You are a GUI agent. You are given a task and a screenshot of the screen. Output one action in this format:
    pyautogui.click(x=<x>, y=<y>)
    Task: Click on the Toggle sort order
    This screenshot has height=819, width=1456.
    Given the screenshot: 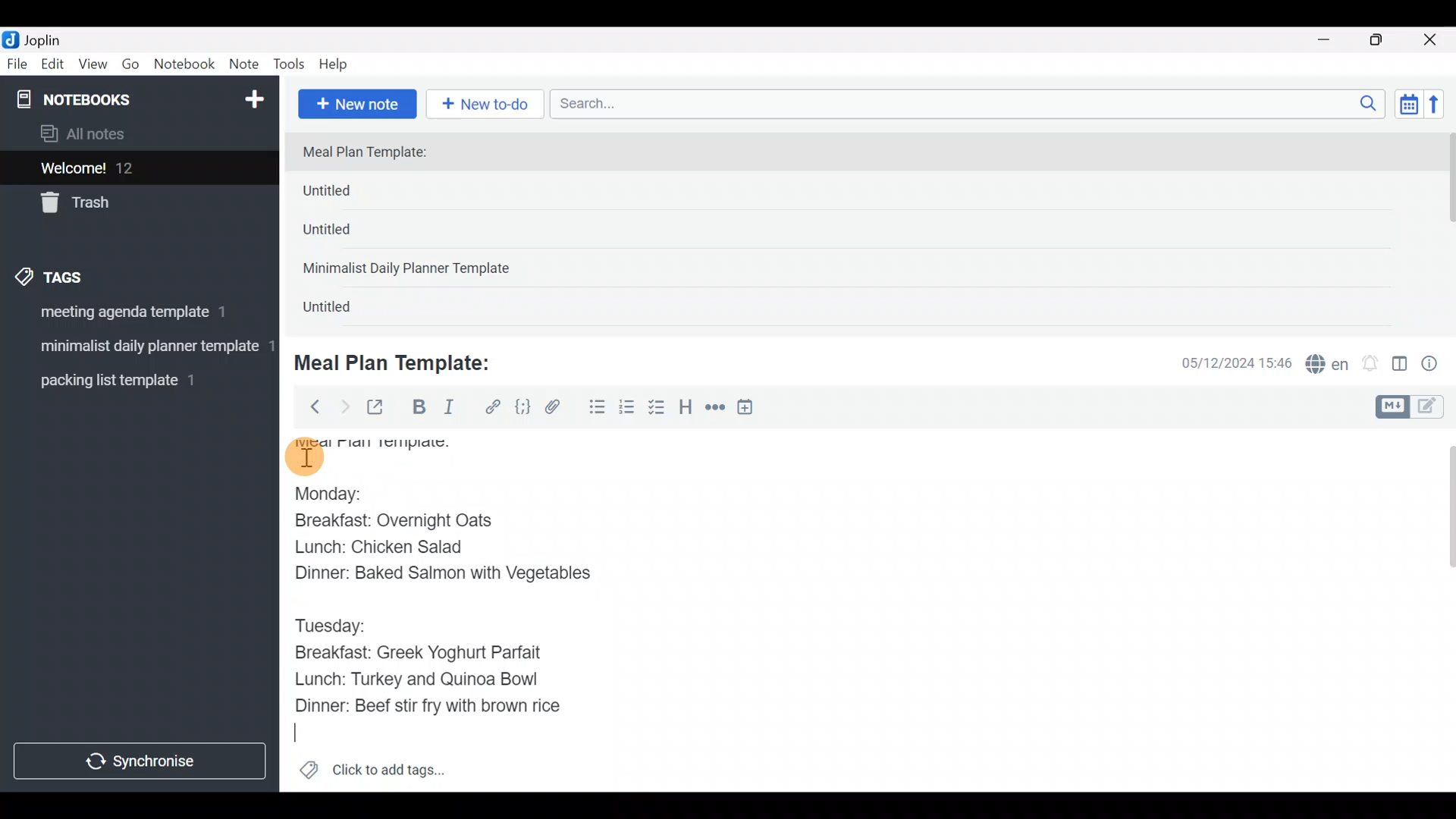 What is the action you would take?
    pyautogui.click(x=1408, y=105)
    